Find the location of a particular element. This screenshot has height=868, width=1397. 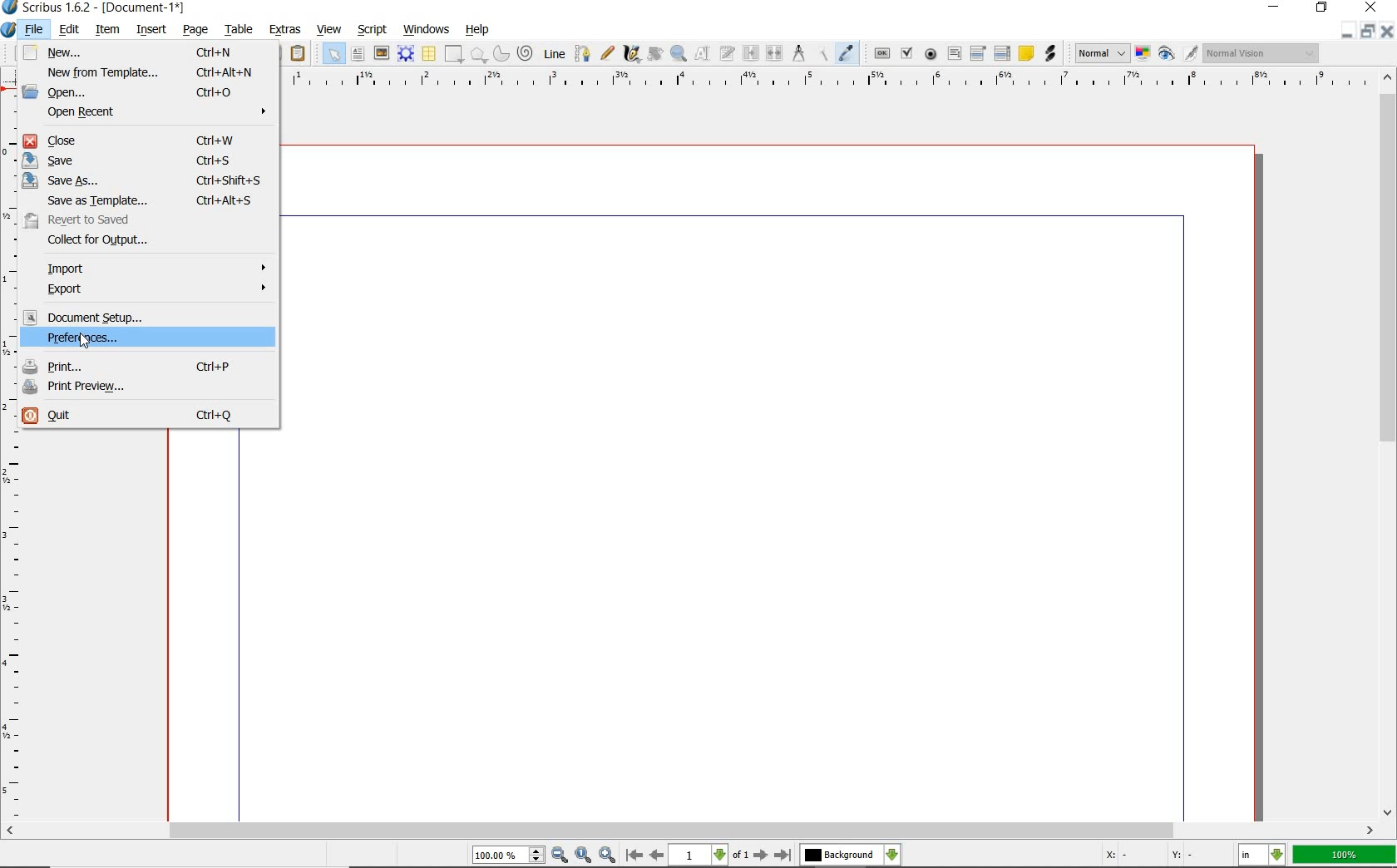

close is located at coordinates (1387, 31).